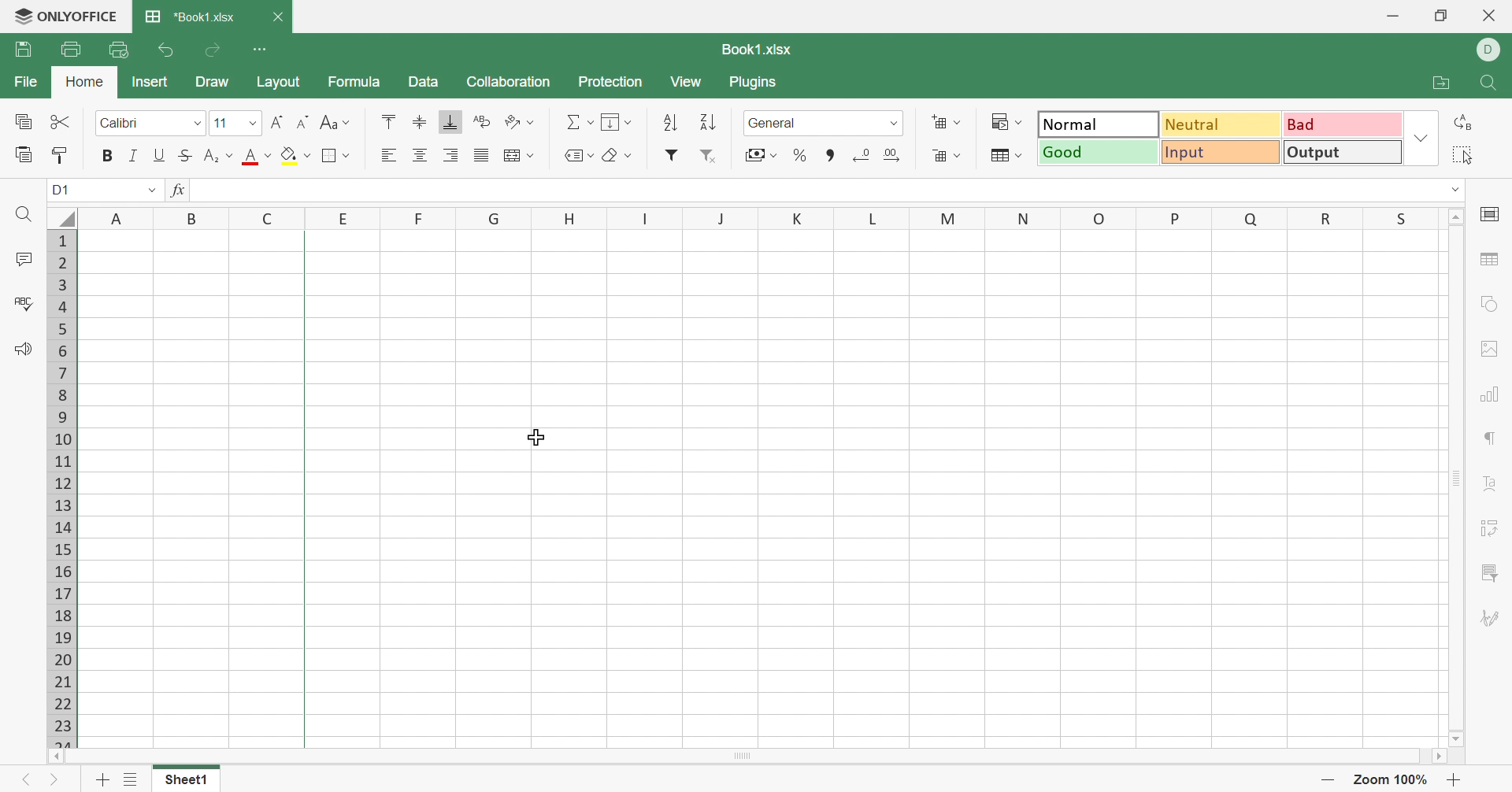  I want to click on Home, so click(86, 80).